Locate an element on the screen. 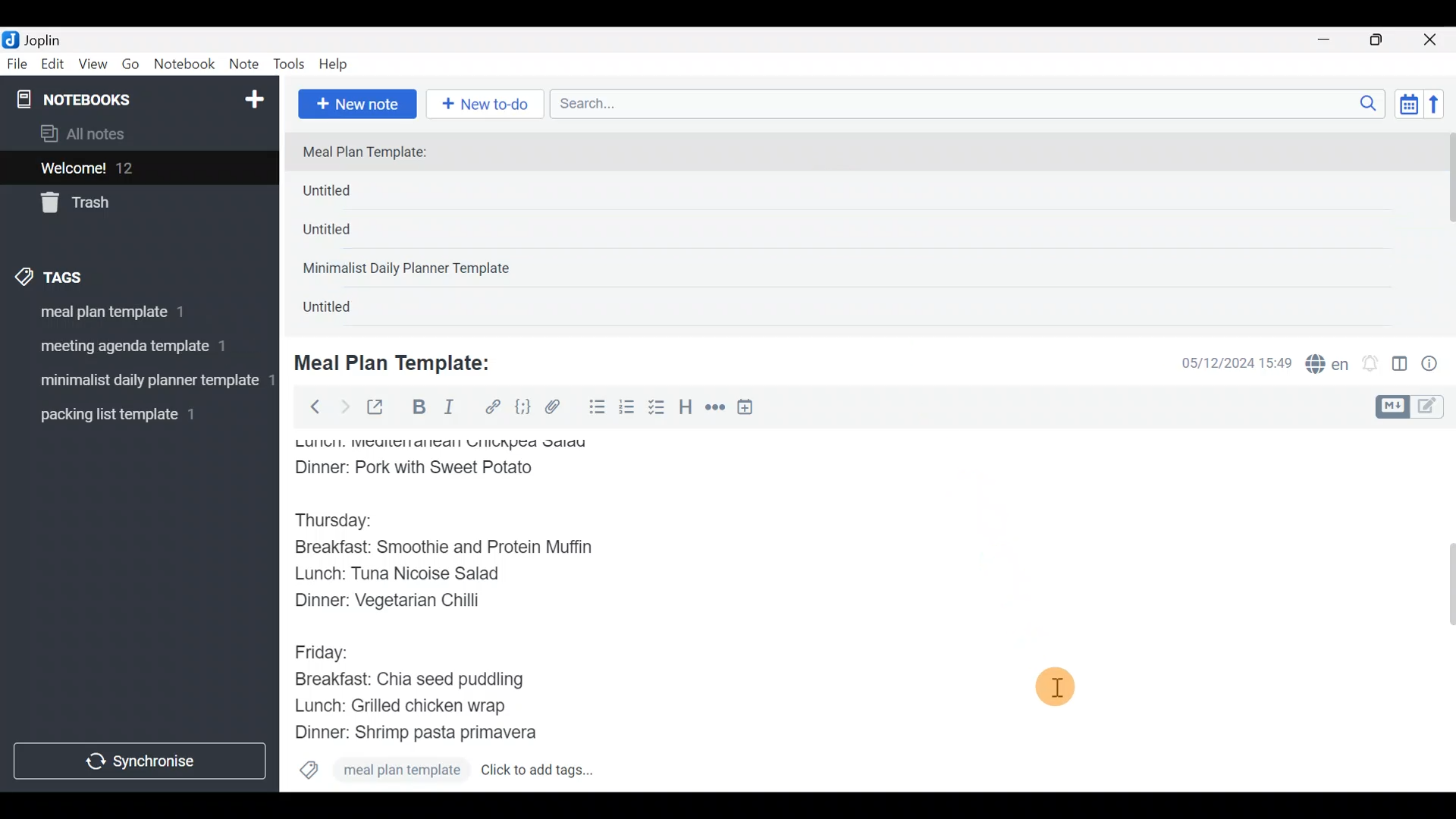  Dinner: Shrimp pasta primavera is located at coordinates (431, 734).